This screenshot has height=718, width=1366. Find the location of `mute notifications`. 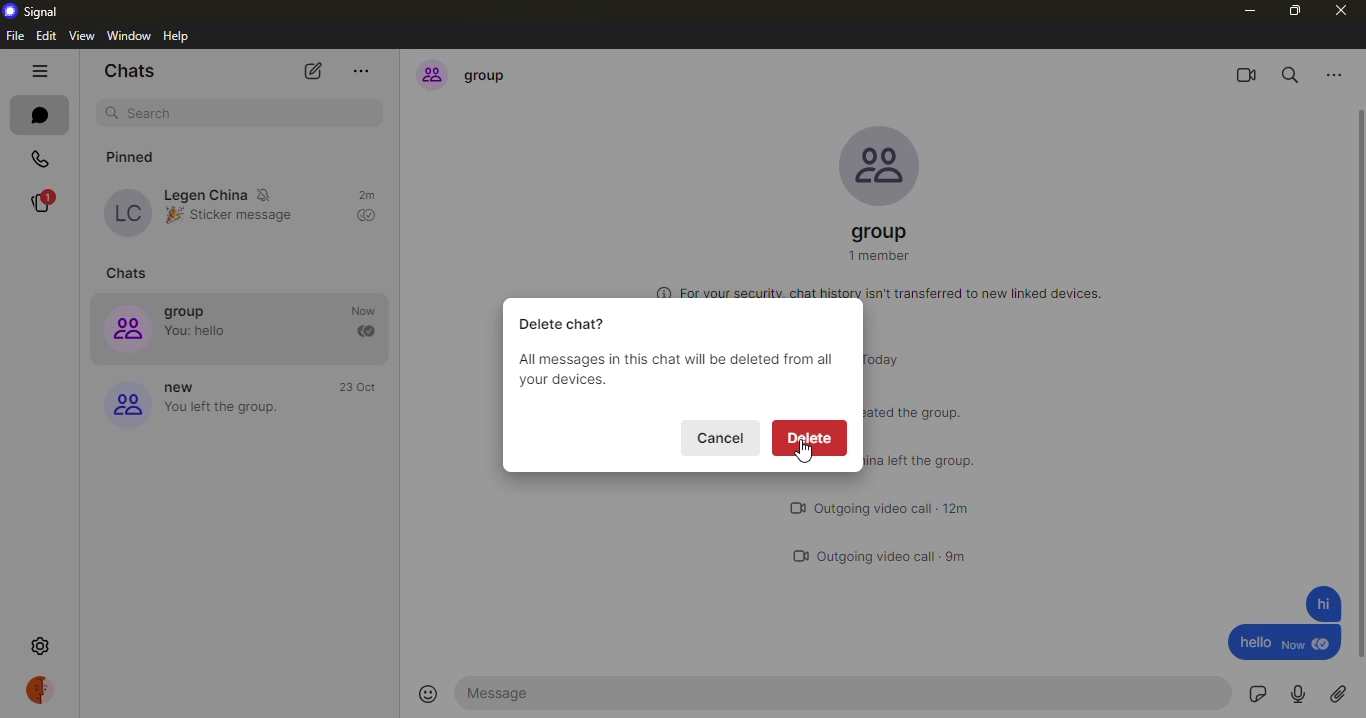

mute notifications is located at coordinates (269, 193).